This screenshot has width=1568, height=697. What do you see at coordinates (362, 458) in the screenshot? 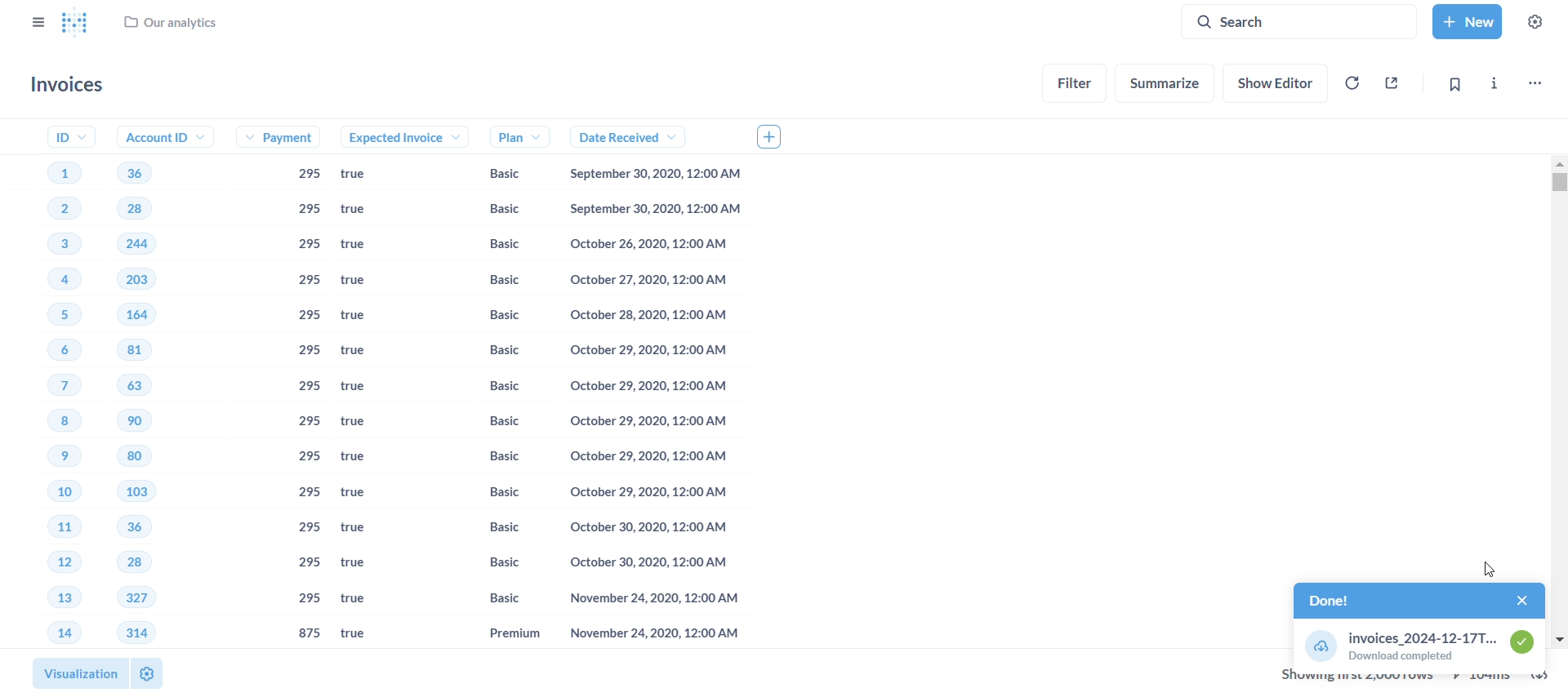
I see `true` at bounding box center [362, 458].